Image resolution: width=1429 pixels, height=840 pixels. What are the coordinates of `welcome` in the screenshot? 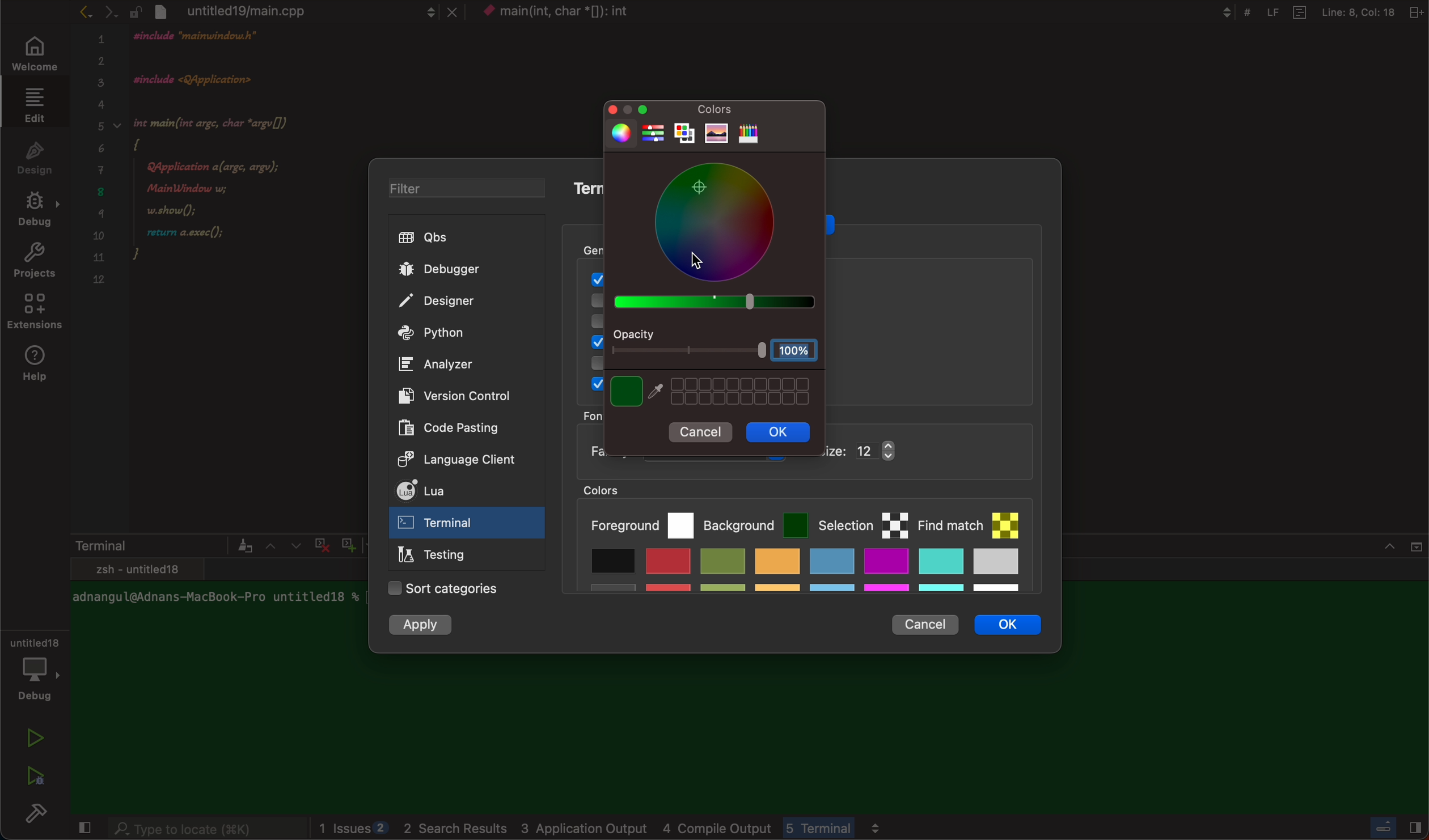 It's located at (32, 55).